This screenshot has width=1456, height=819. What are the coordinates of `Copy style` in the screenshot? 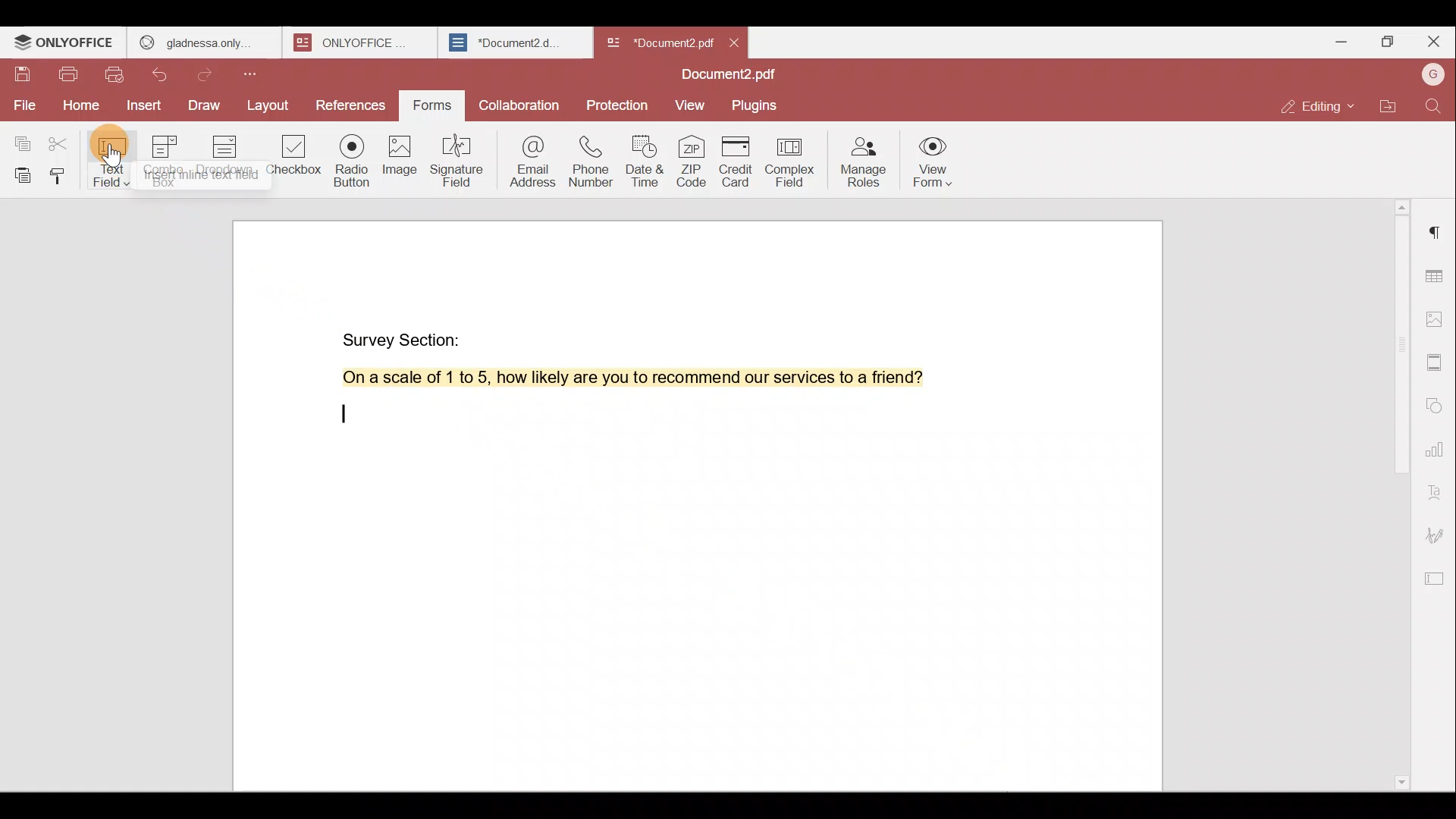 It's located at (61, 175).